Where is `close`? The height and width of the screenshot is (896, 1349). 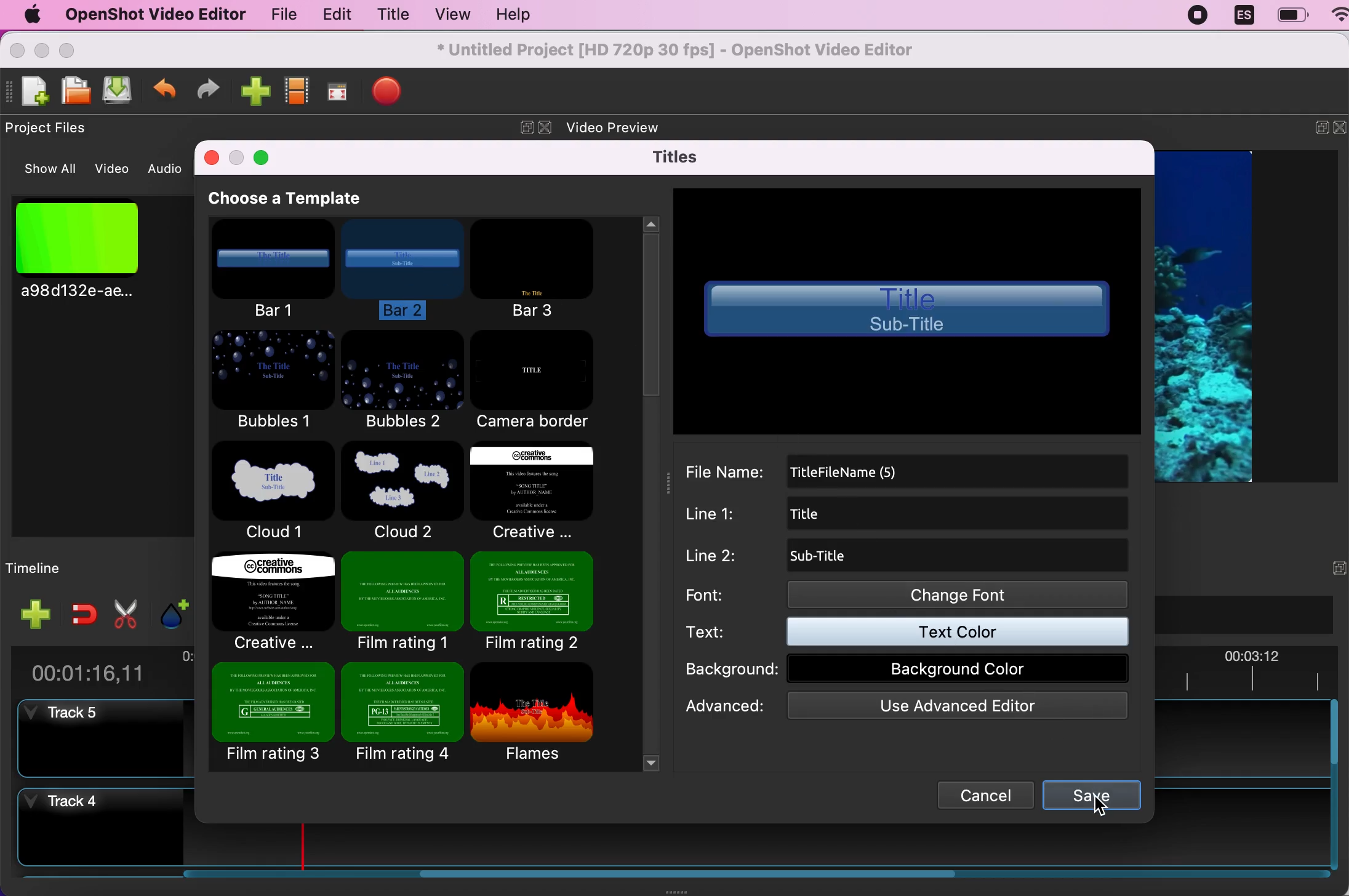
close is located at coordinates (17, 49).